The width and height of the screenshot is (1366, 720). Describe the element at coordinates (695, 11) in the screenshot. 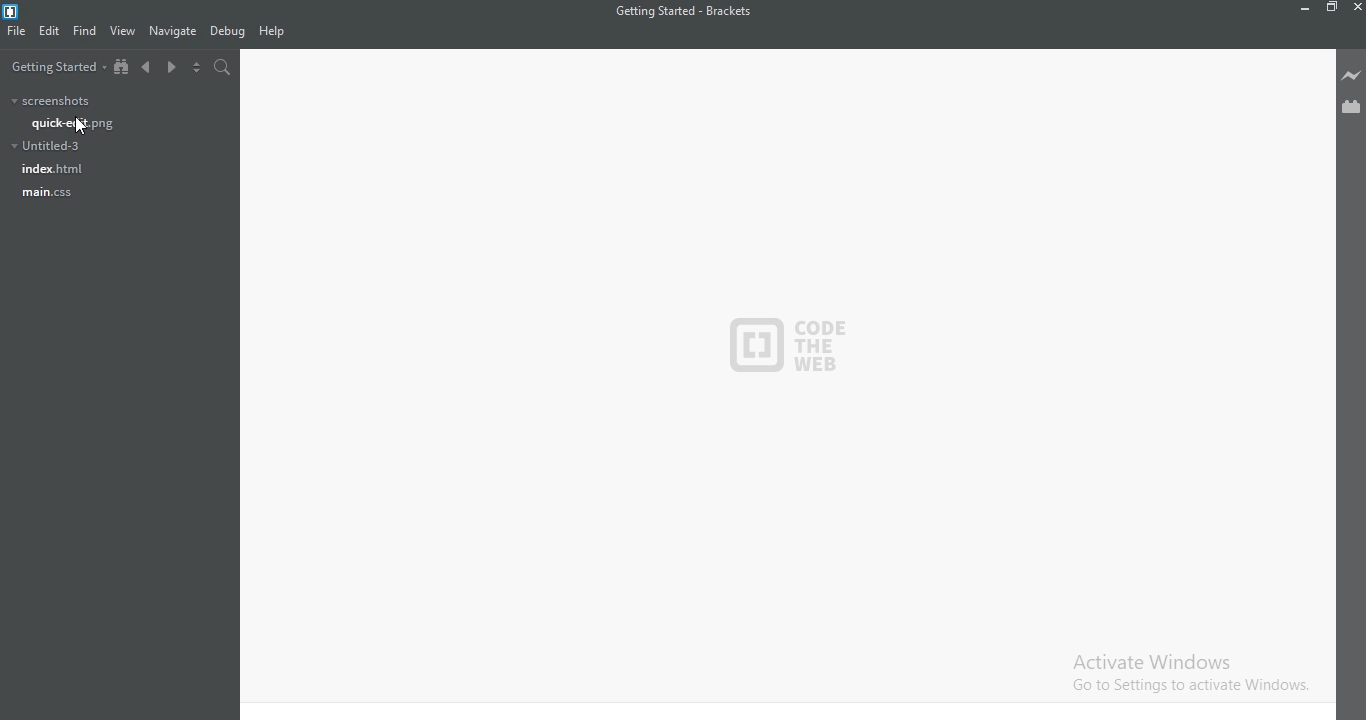

I see `getting started - Brackets` at that location.